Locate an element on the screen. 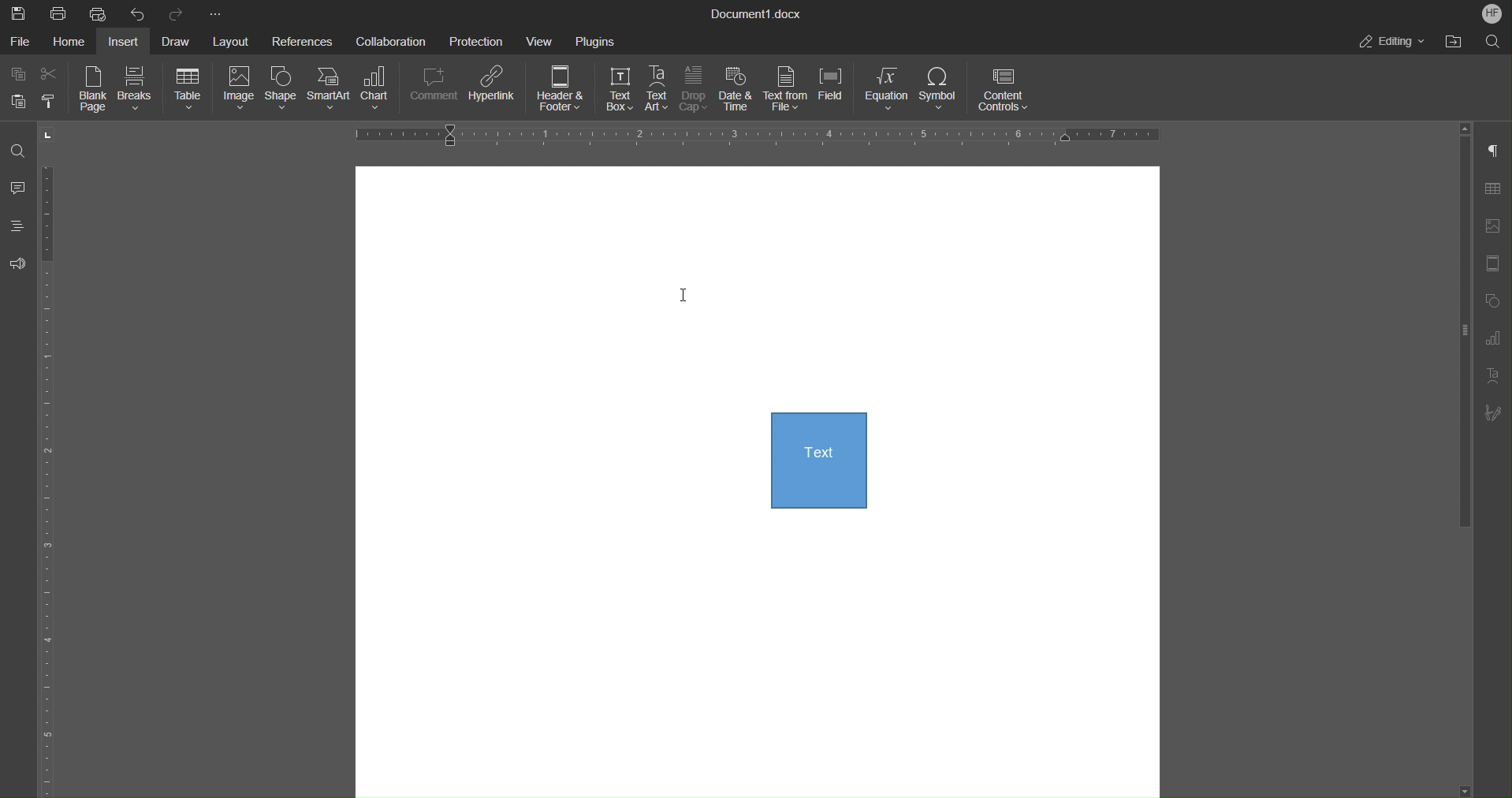 This screenshot has width=1512, height=798. References is located at coordinates (302, 40).